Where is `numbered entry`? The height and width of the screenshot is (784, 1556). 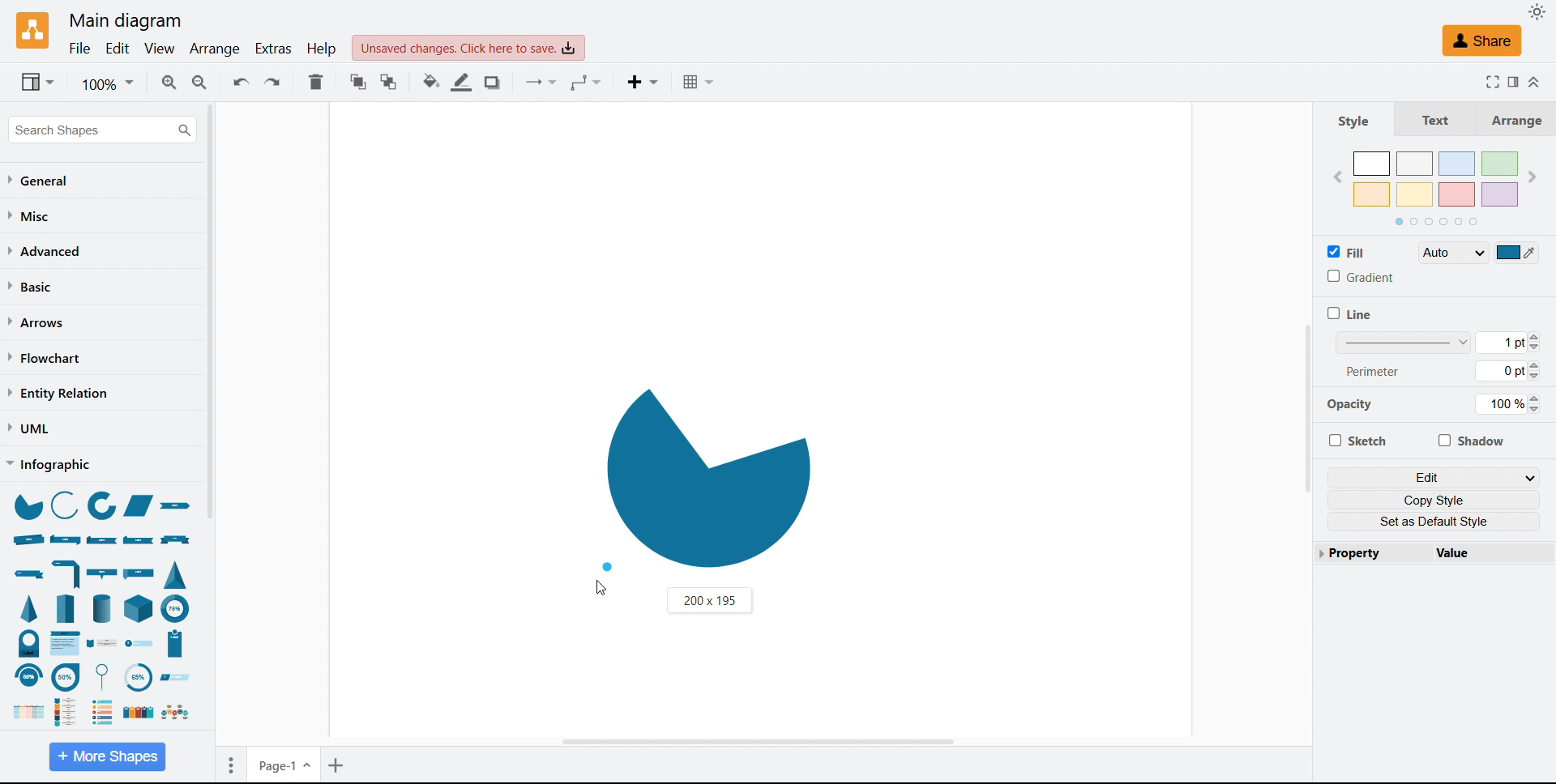
numbered entry is located at coordinates (139, 644).